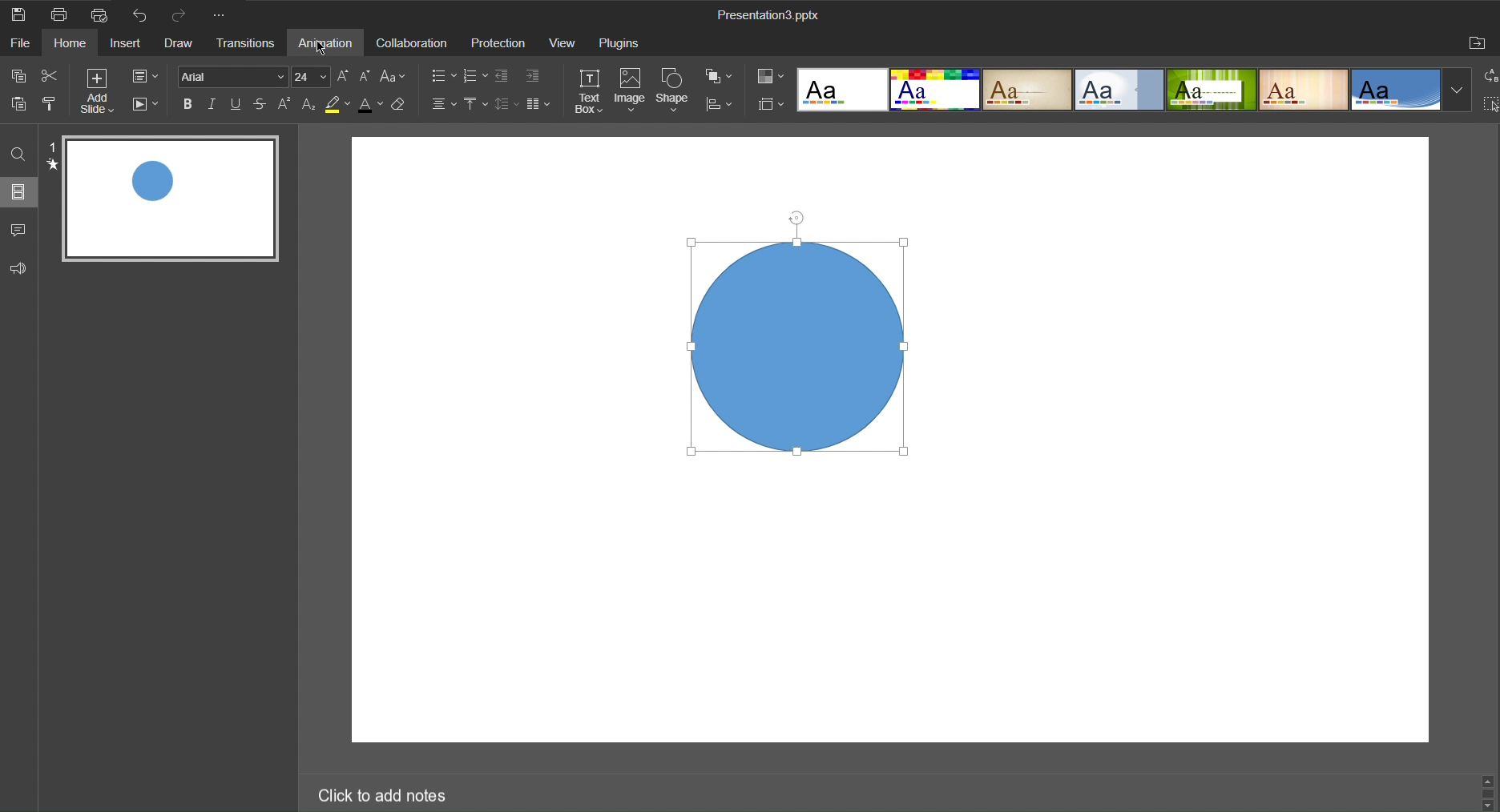 This screenshot has height=812, width=1500. What do you see at coordinates (504, 74) in the screenshot?
I see `Indent Settings` at bounding box center [504, 74].